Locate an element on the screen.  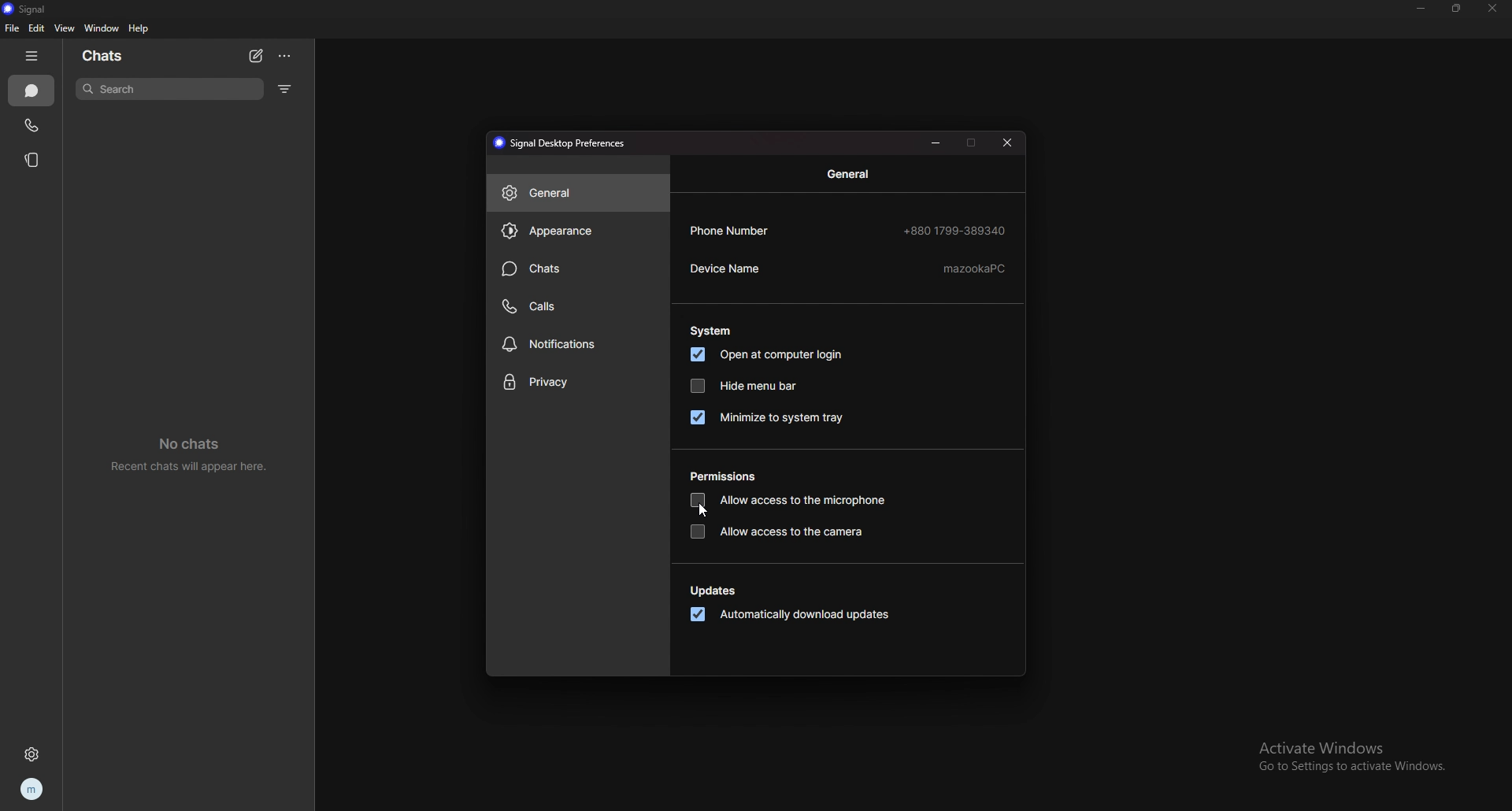
signal desktop preferences is located at coordinates (565, 143).